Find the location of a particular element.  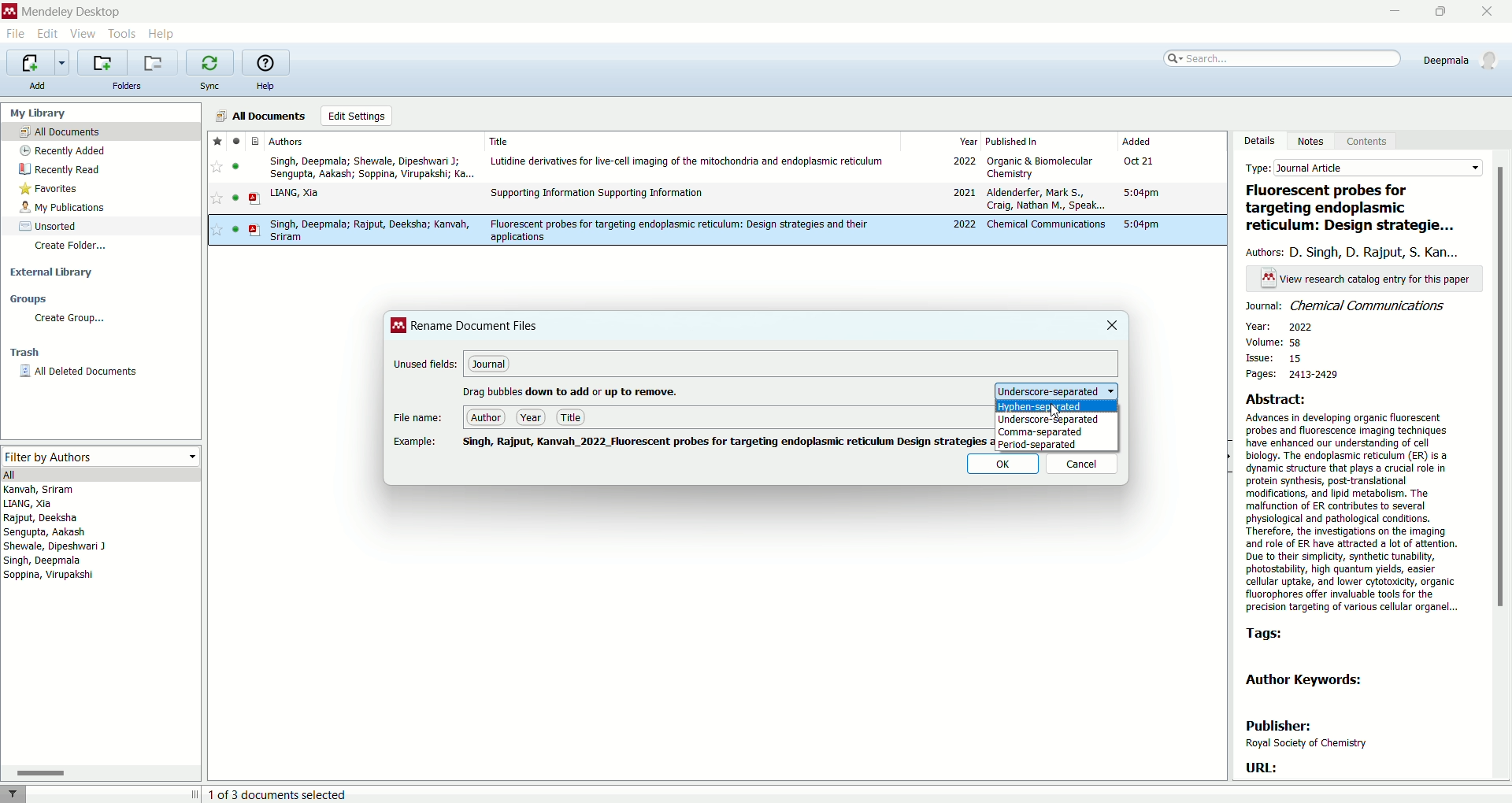

journal name is located at coordinates (1350, 306).